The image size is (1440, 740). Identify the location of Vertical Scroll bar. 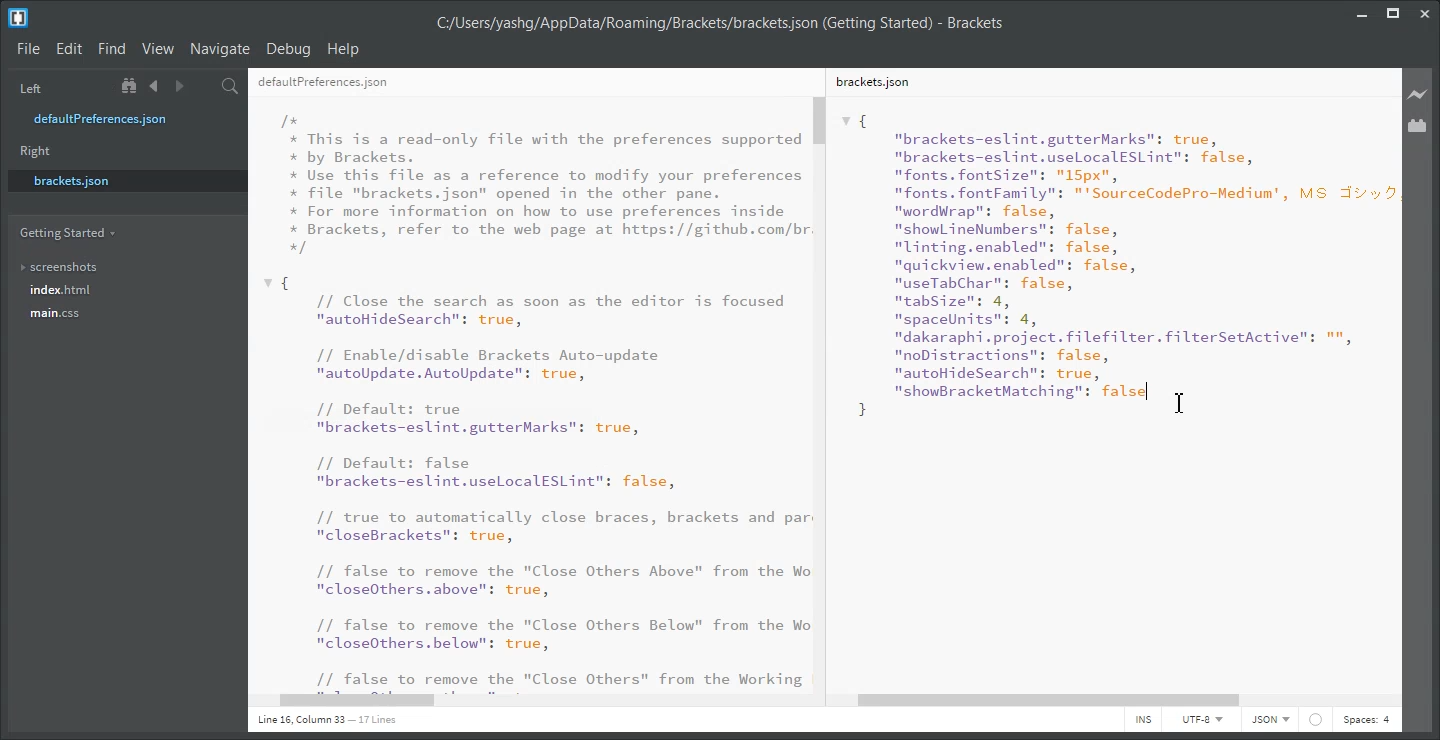
(823, 392).